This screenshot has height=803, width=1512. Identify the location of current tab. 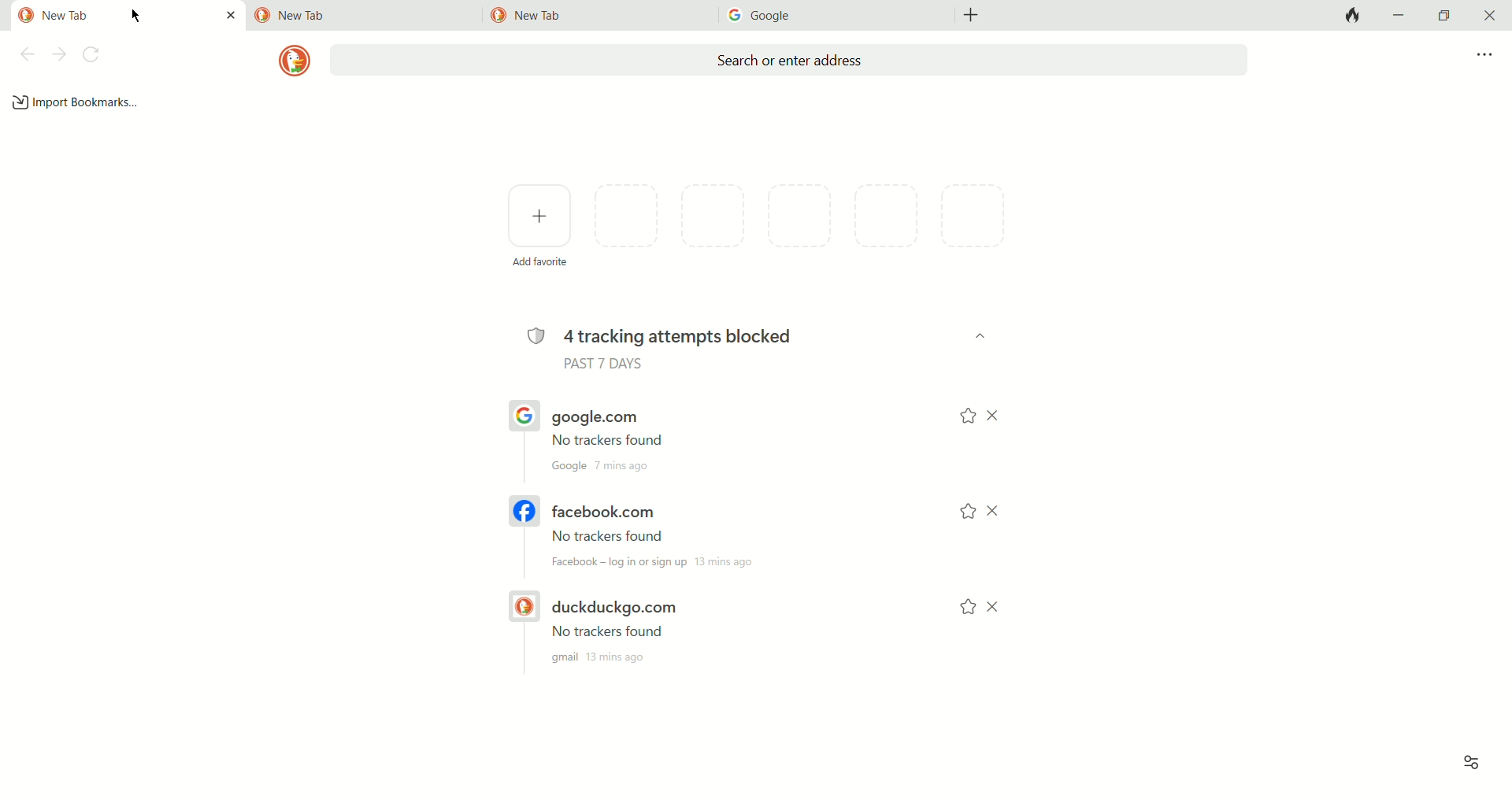
(124, 14).